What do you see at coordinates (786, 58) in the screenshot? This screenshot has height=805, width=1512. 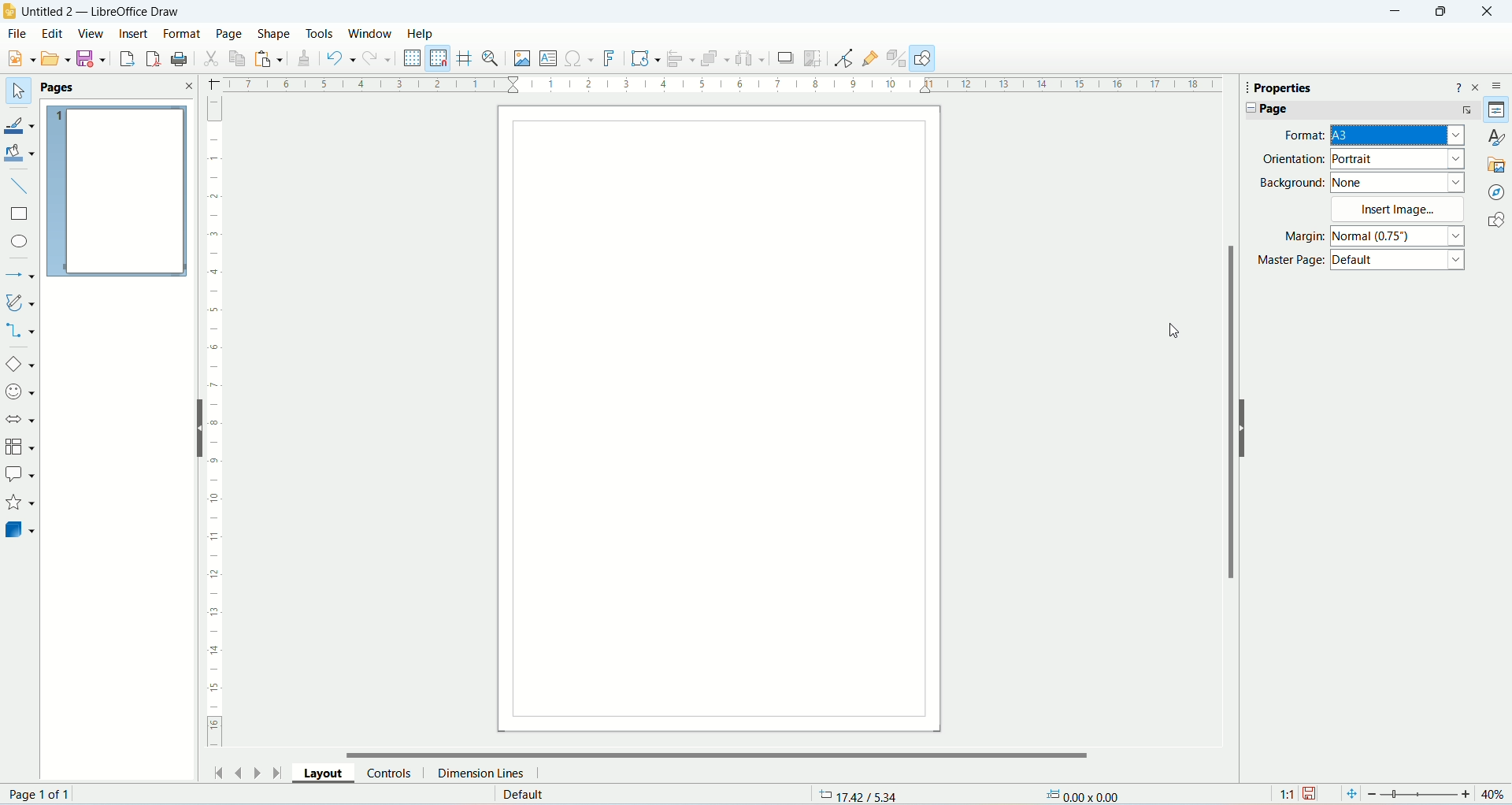 I see `crop images` at bounding box center [786, 58].